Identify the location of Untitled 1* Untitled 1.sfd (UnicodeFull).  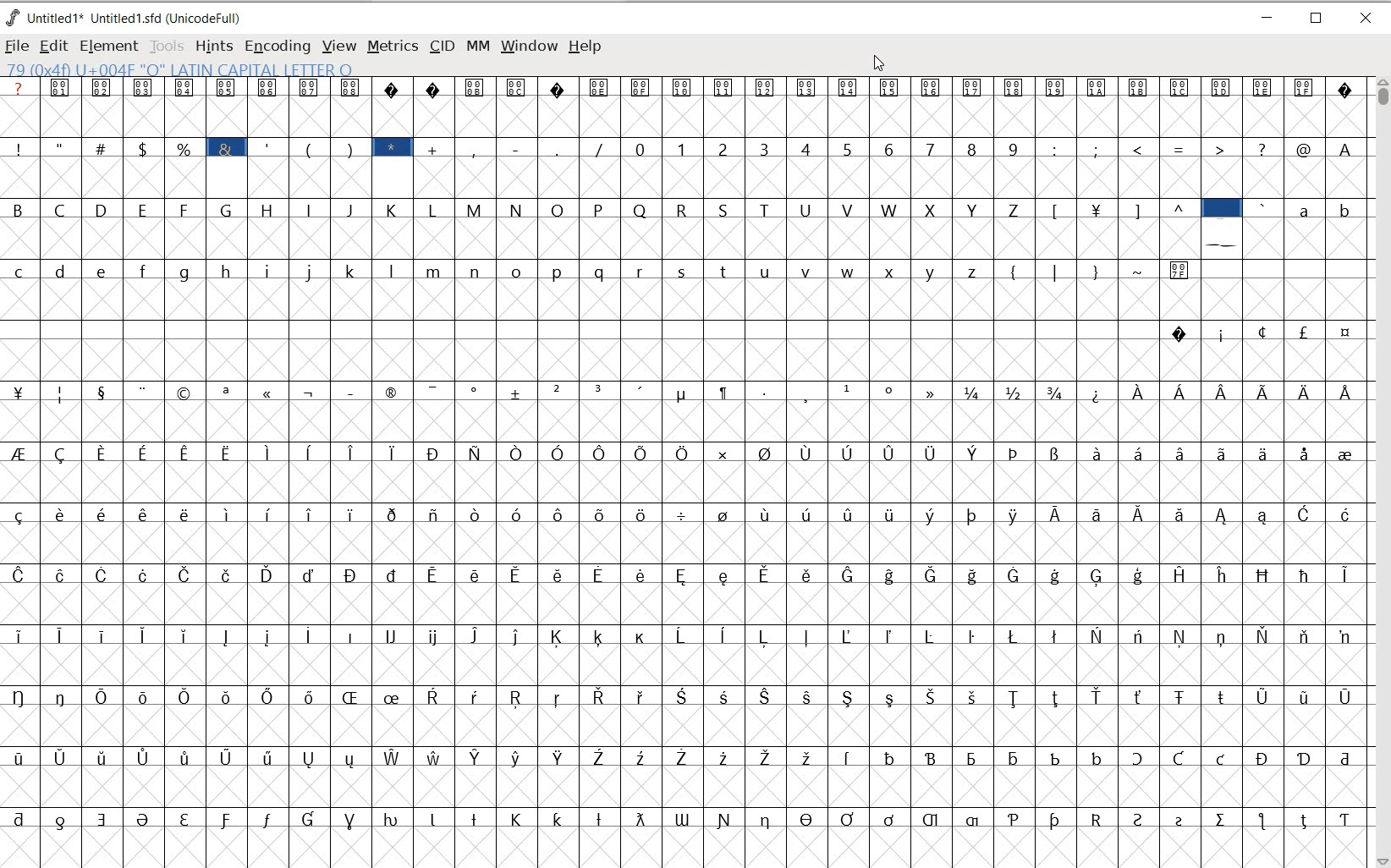
(127, 19).